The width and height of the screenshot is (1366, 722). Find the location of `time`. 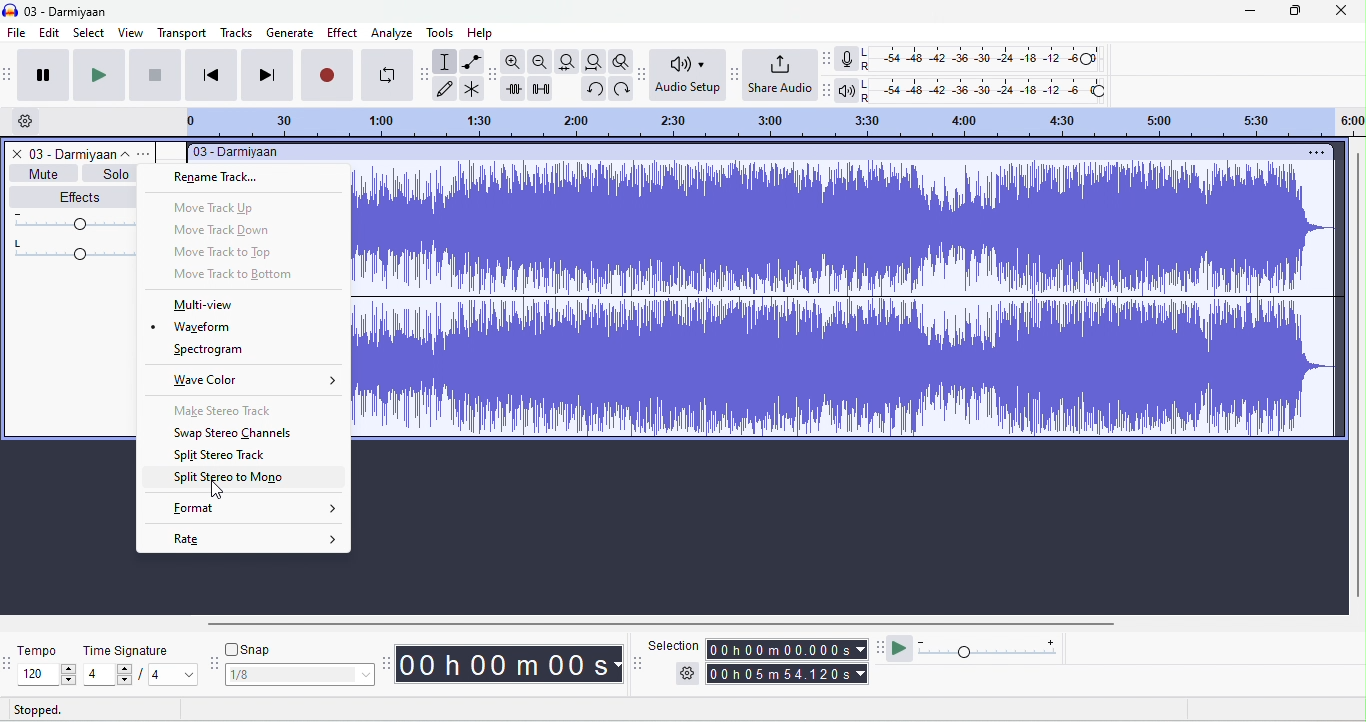

time is located at coordinates (511, 665).